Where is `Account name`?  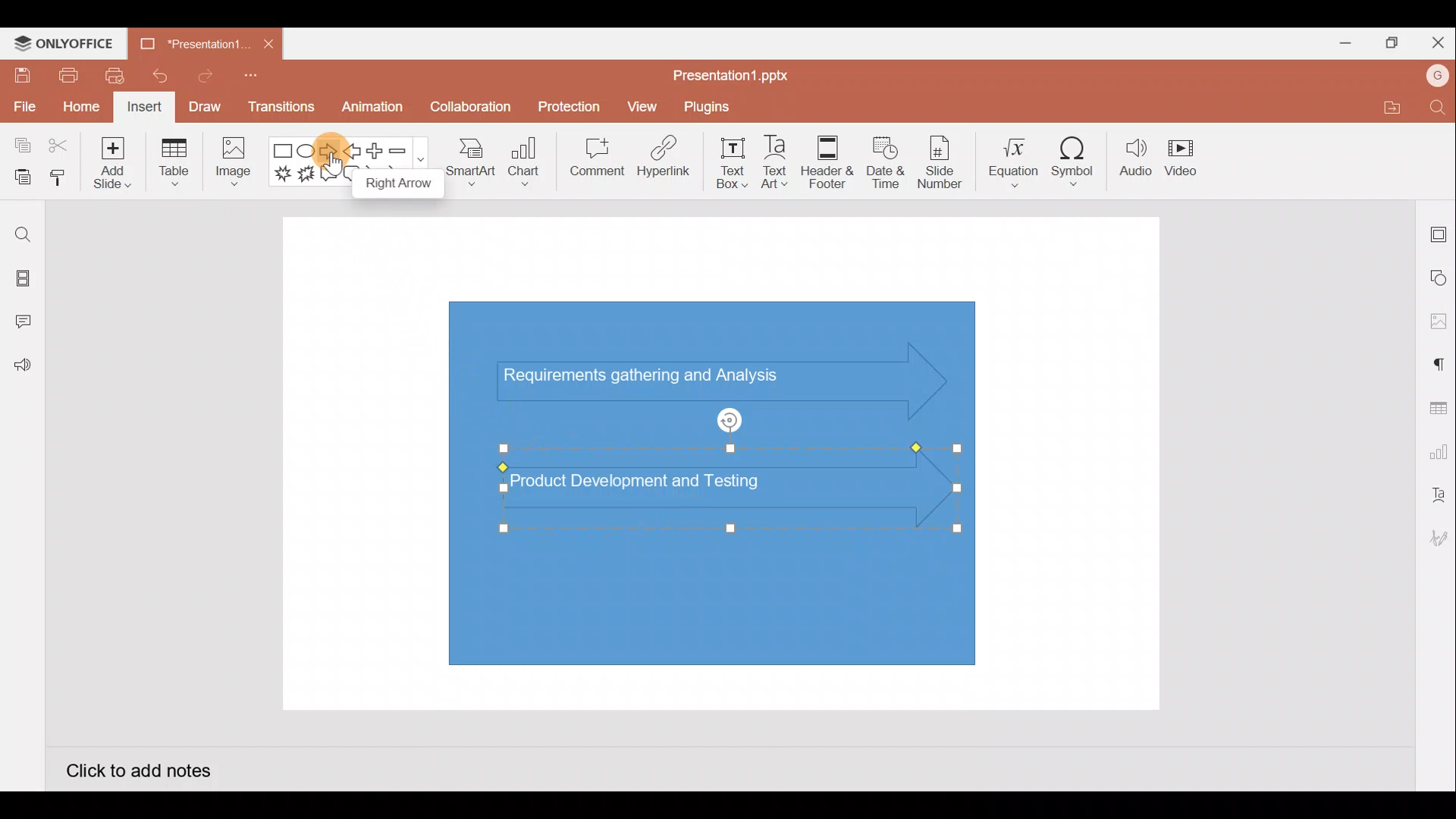
Account name is located at coordinates (1438, 76).